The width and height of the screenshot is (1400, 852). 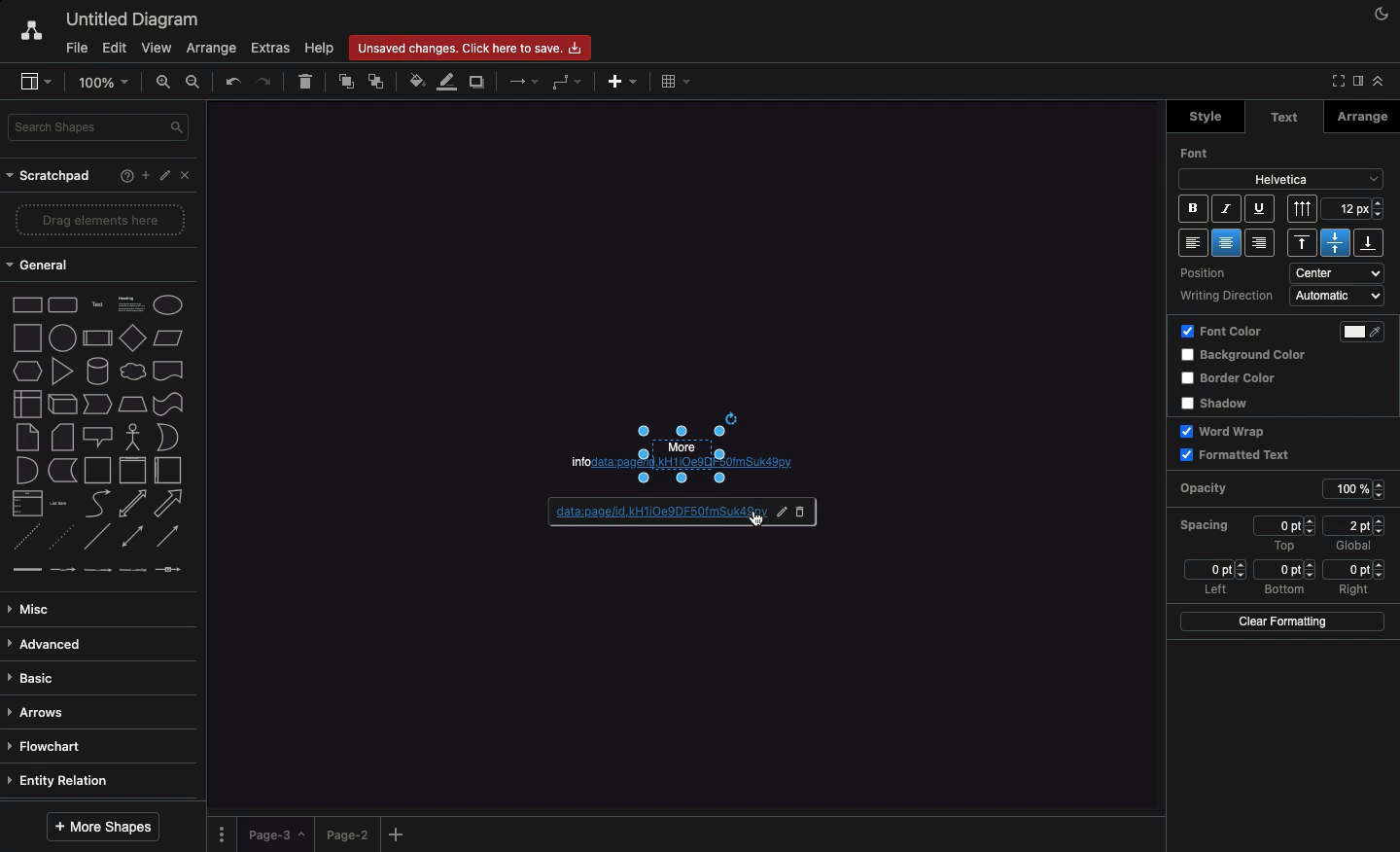 What do you see at coordinates (1356, 589) in the screenshot?
I see `Right` at bounding box center [1356, 589].